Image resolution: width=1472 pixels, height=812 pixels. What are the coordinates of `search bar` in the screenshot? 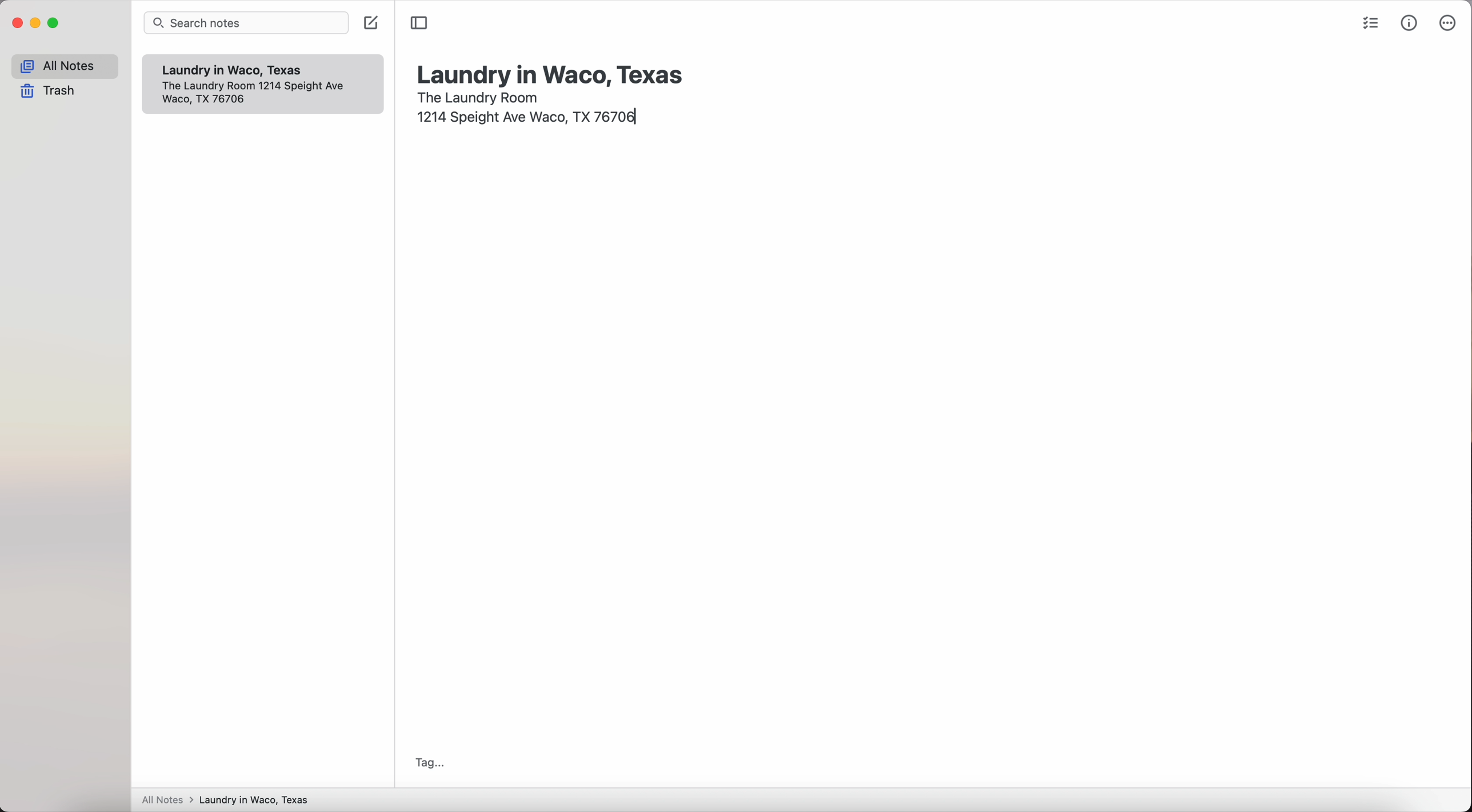 It's located at (249, 24).